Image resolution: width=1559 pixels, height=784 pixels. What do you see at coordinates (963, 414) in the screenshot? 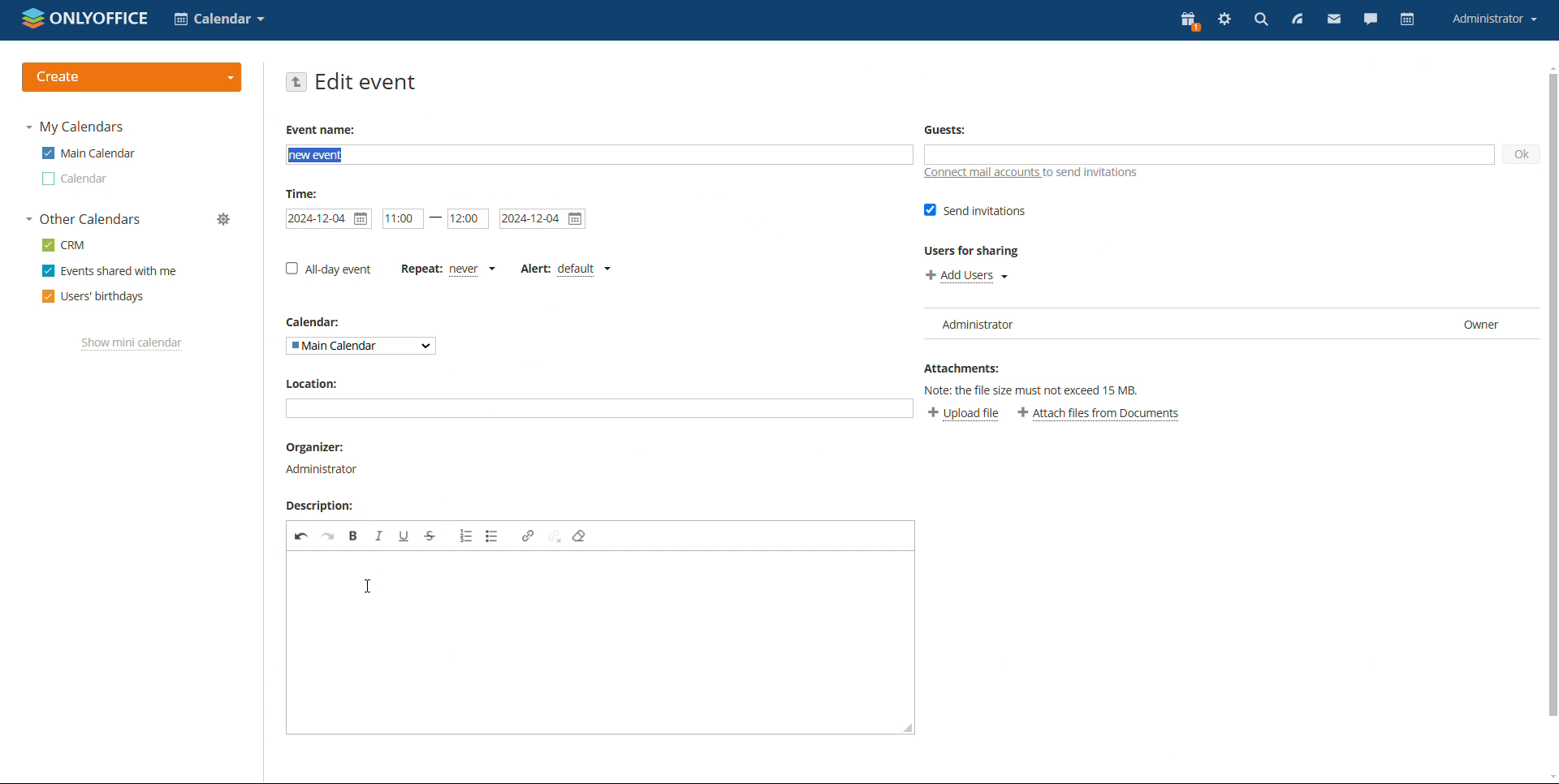
I see `upload file` at bounding box center [963, 414].